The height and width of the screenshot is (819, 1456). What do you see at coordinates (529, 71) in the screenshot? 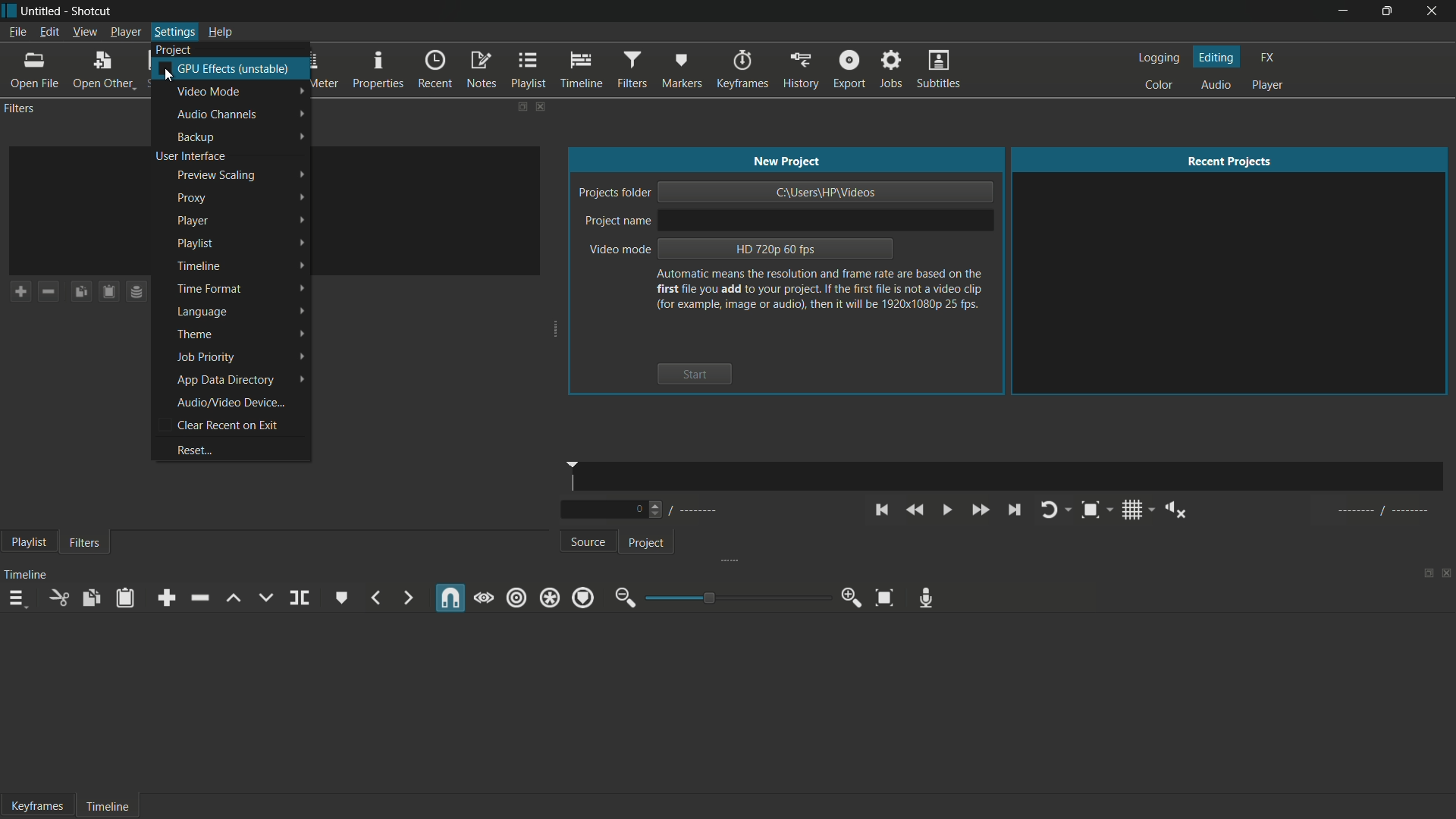
I see `playlist` at bounding box center [529, 71].